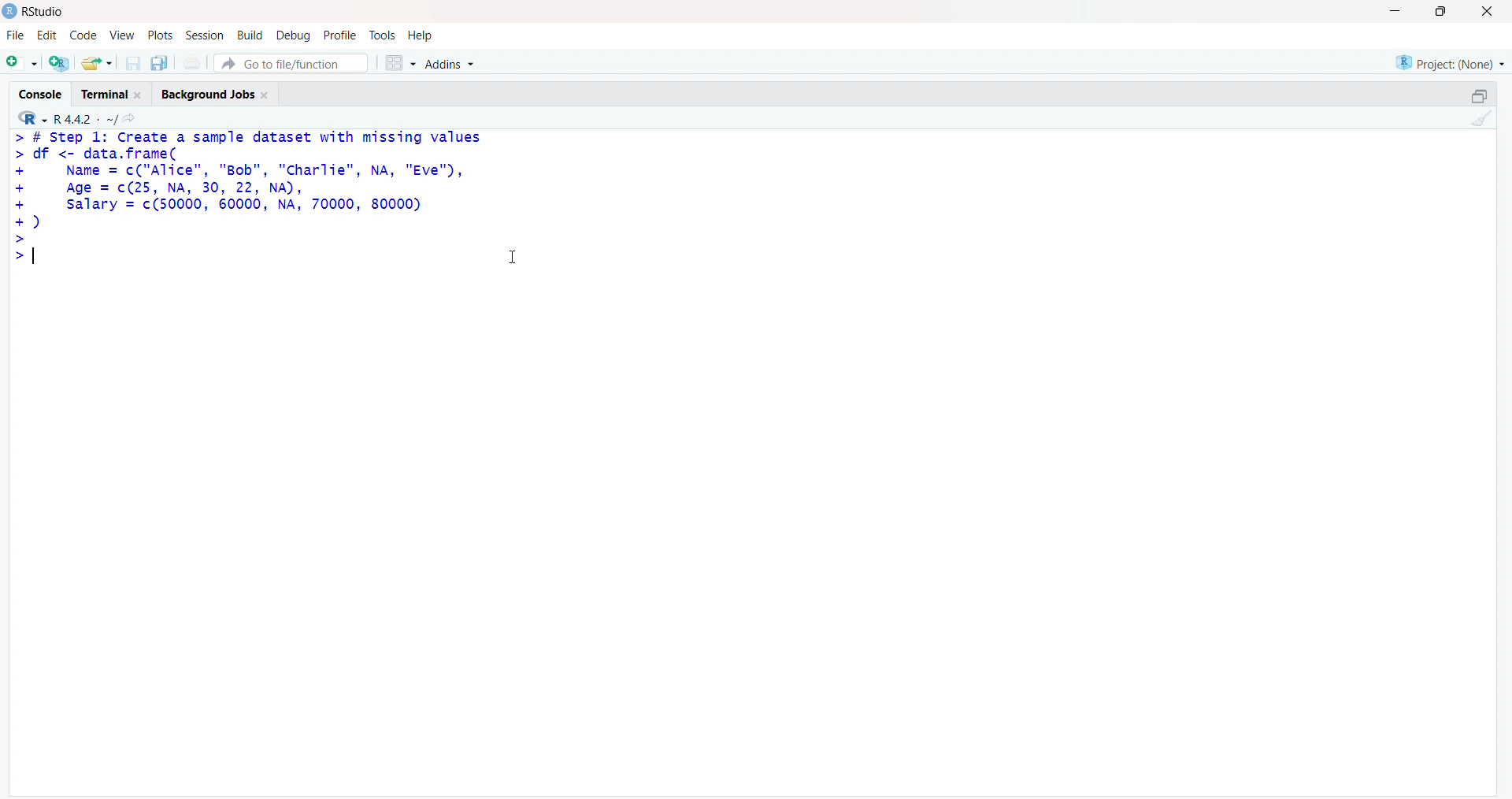 This screenshot has width=1512, height=799. Describe the element at coordinates (220, 93) in the screenshot. I see `Background Jobs` at that location.